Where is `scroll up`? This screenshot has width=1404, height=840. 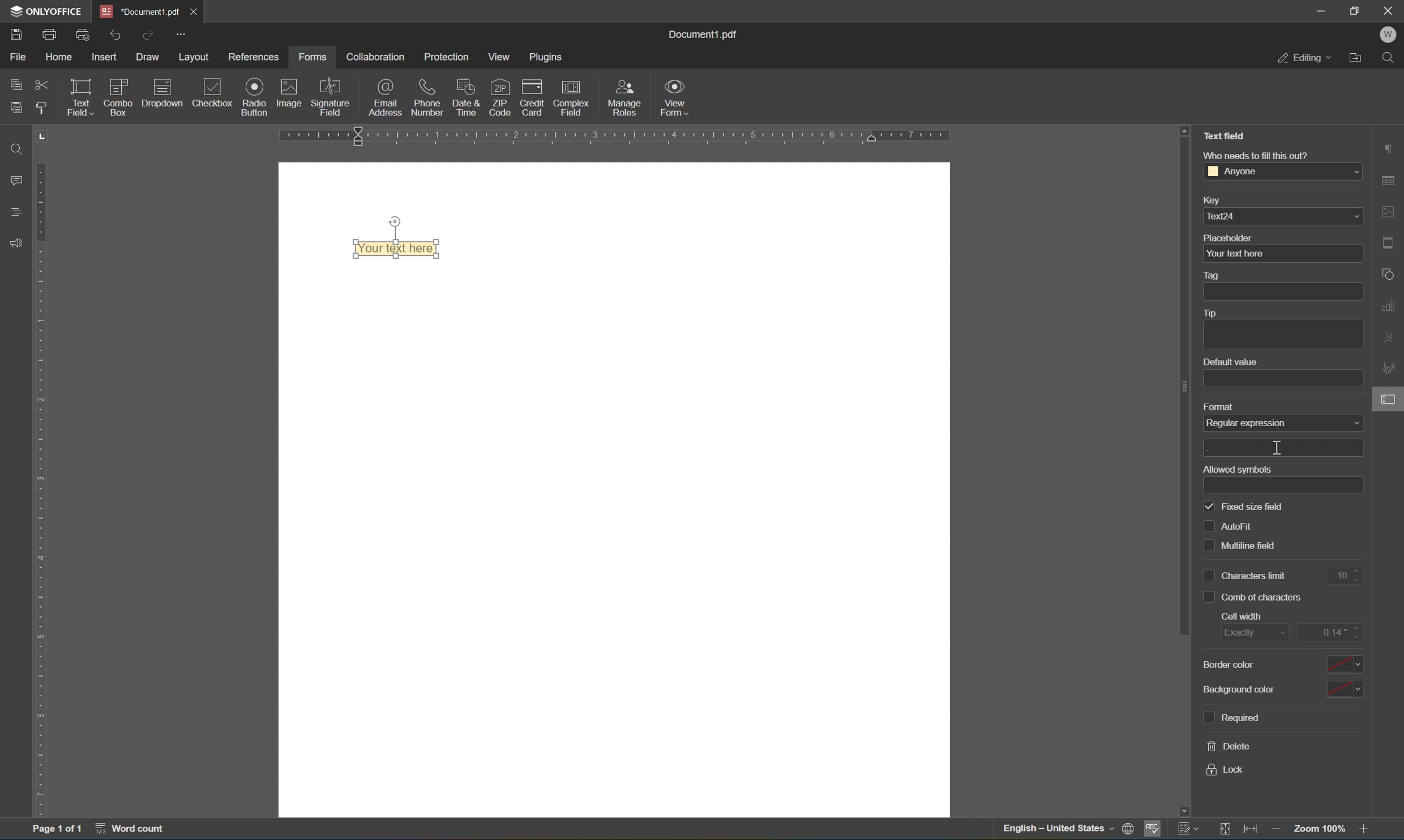
scroll up is located at coordinates (1184, 129).